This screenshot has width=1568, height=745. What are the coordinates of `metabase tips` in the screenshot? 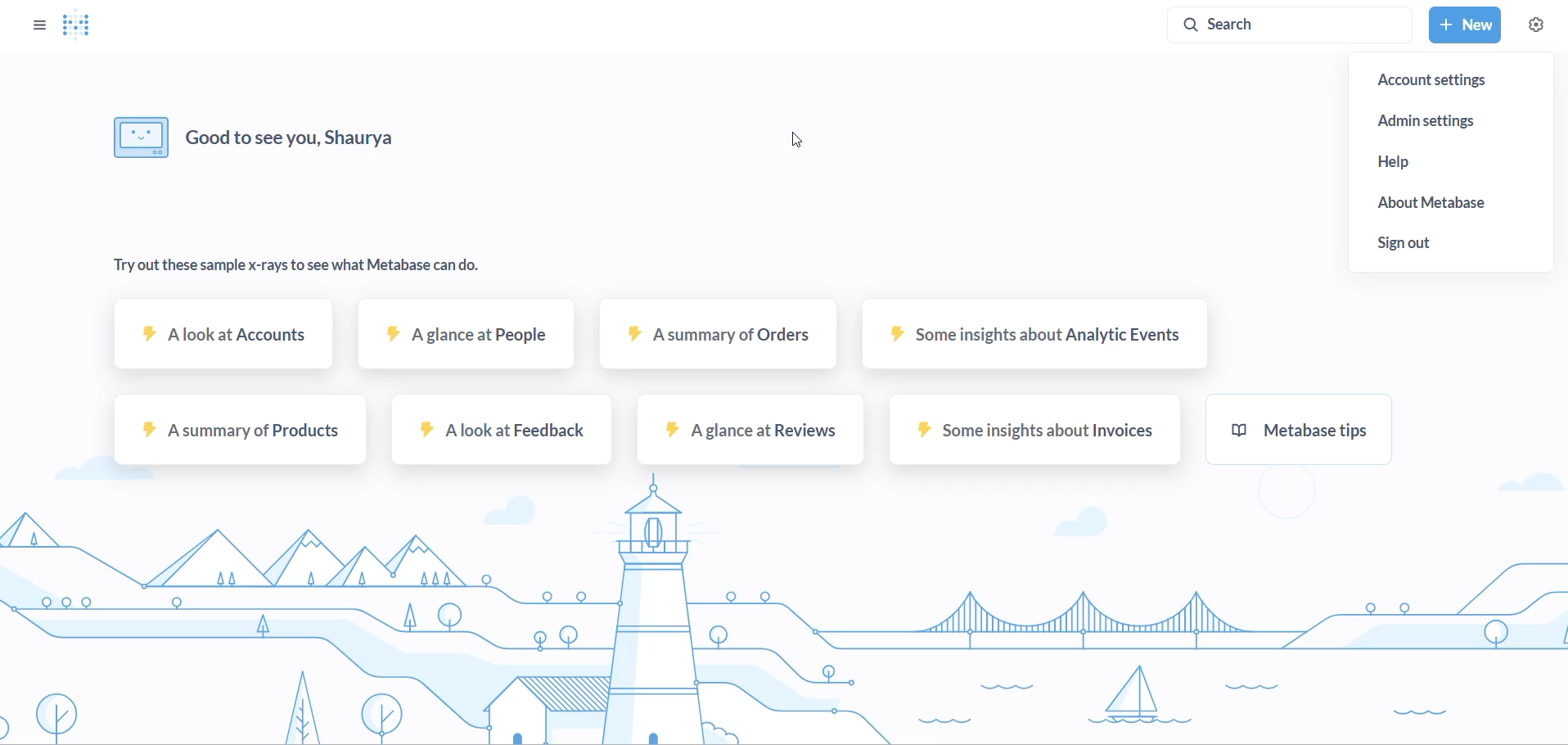 It's located at (1296, 434).